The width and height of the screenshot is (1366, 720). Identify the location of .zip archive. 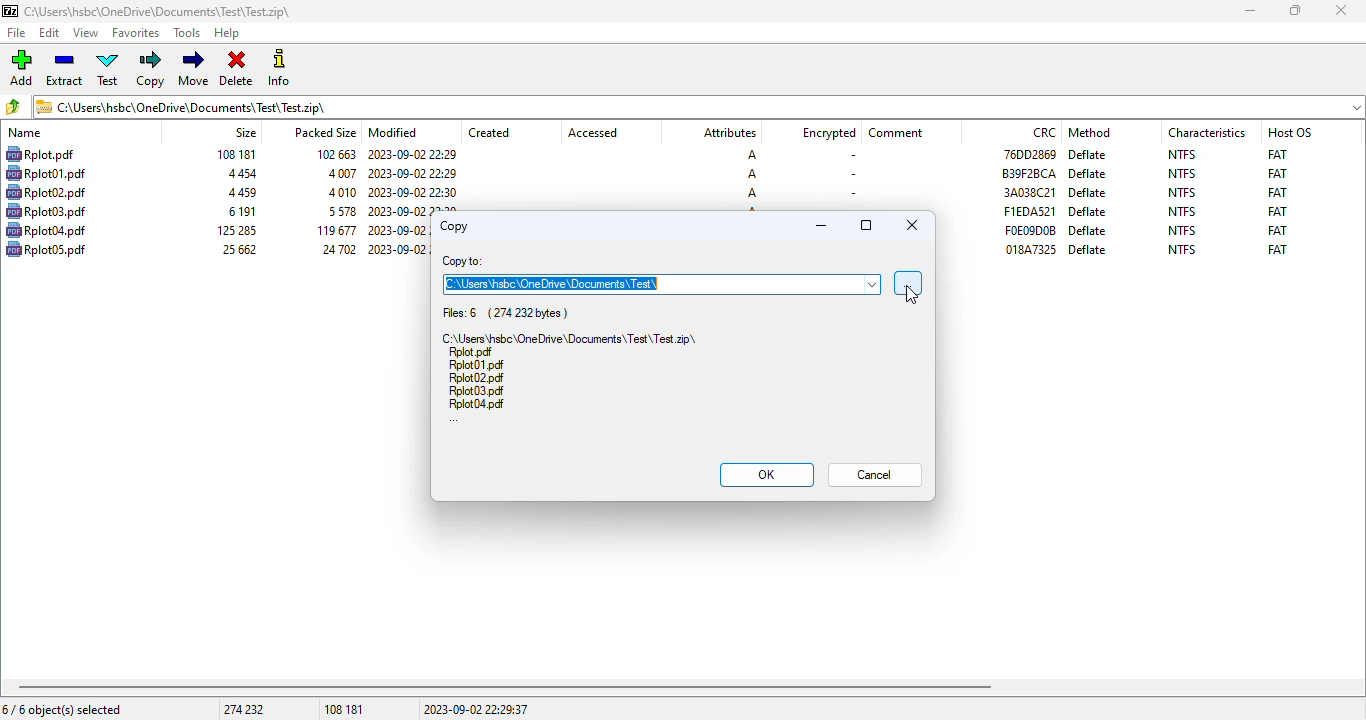
(157, 11).